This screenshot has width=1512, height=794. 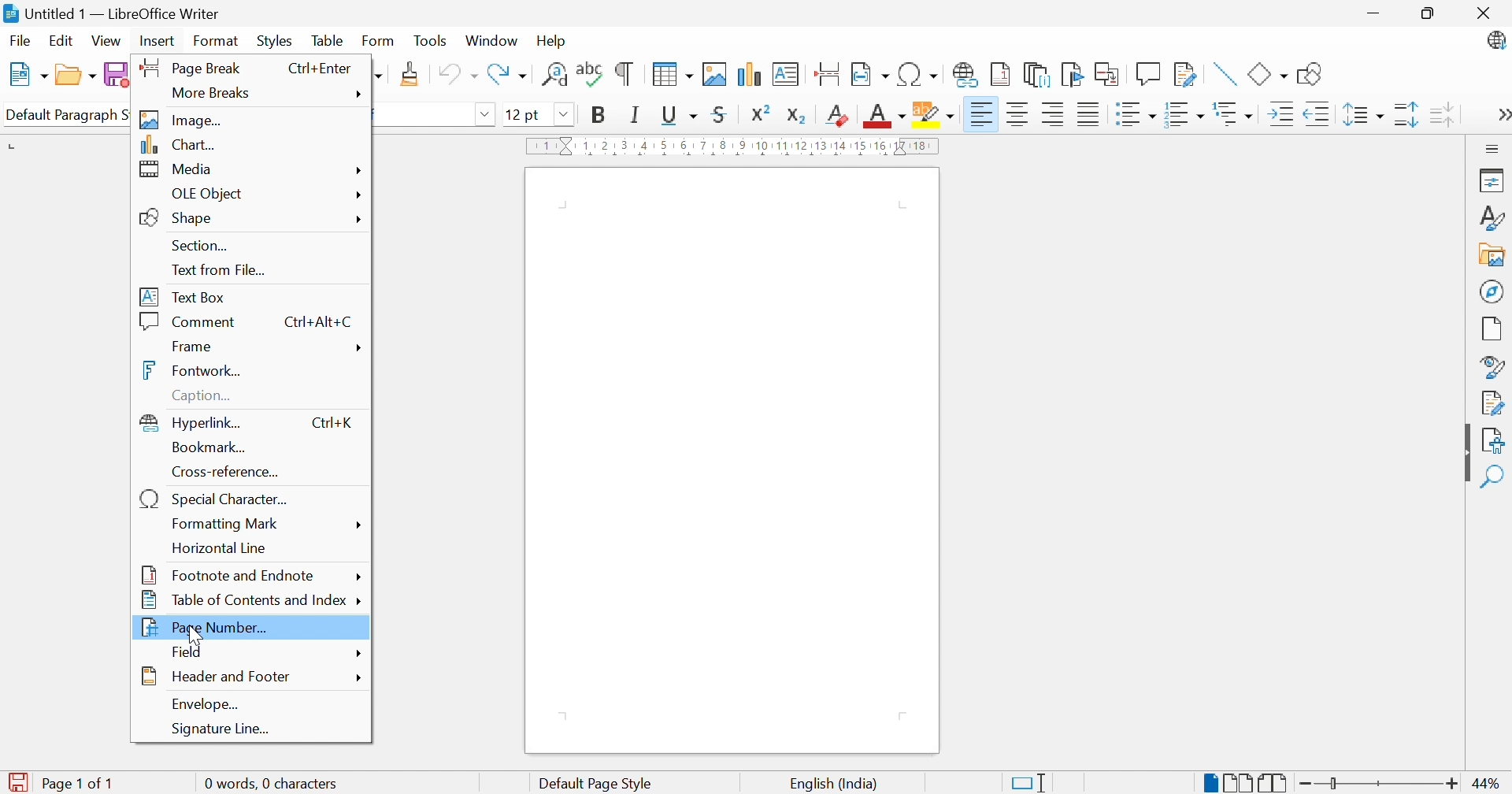 I want to click on Decrease indent, so click(x=1317, y=114).